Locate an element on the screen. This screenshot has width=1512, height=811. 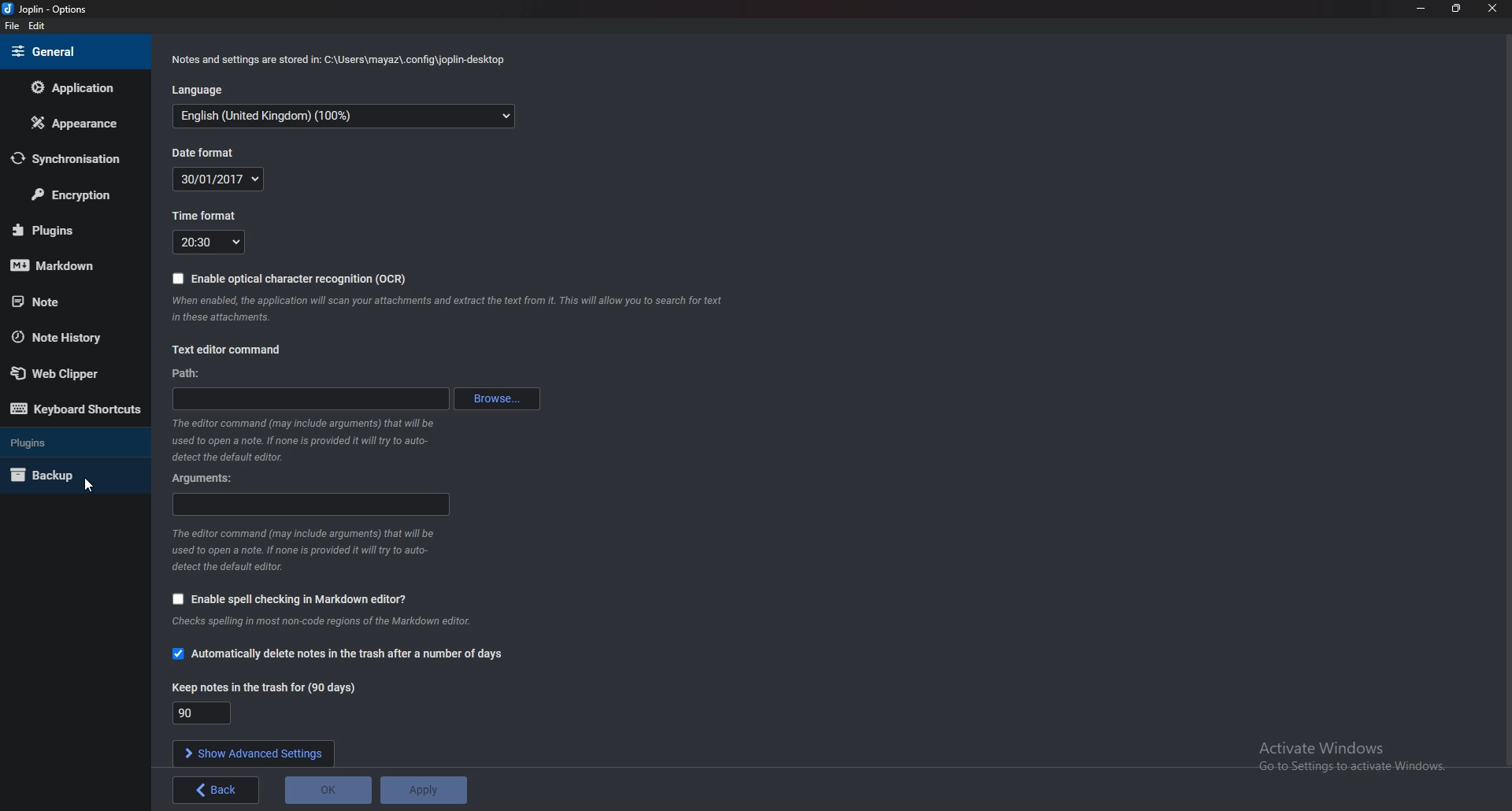
Date format is located at coordinates (231, 179).